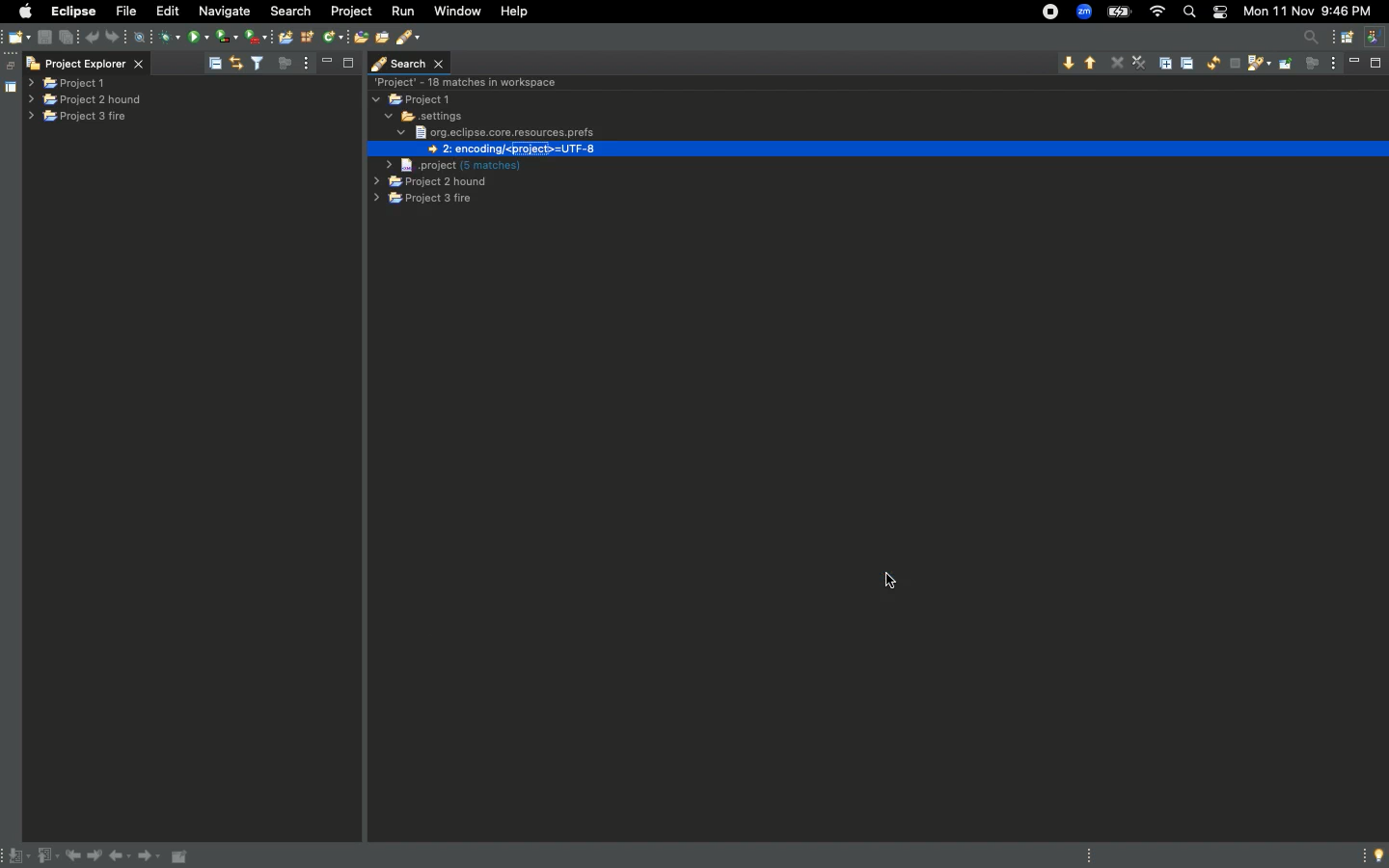 This screenshot has height=868, width=1389. Describe the element at coordinates (19, 35) in the screenshot. I see `new` at that location.